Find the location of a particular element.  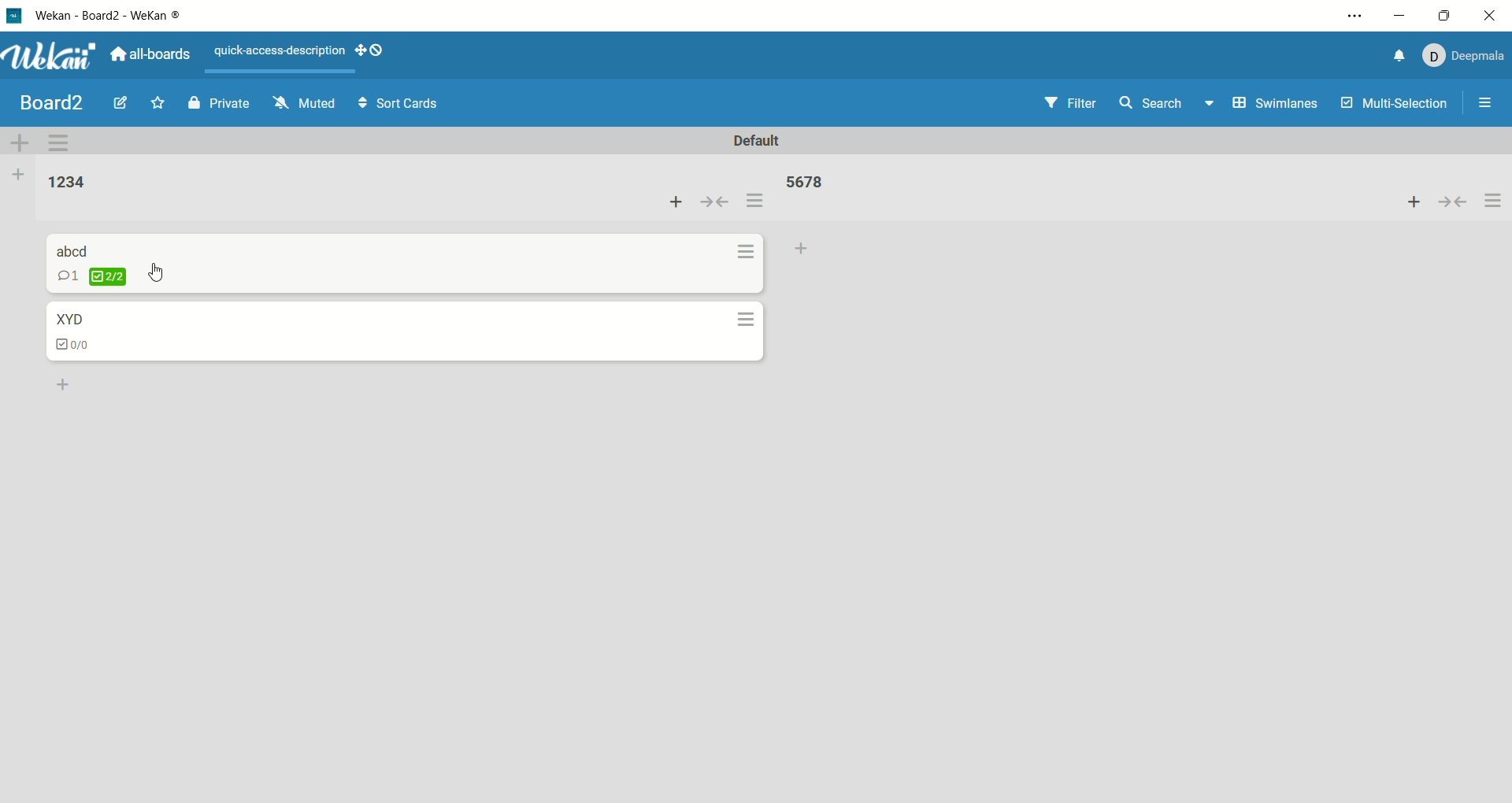

options is located at coordinates (1492, 107).